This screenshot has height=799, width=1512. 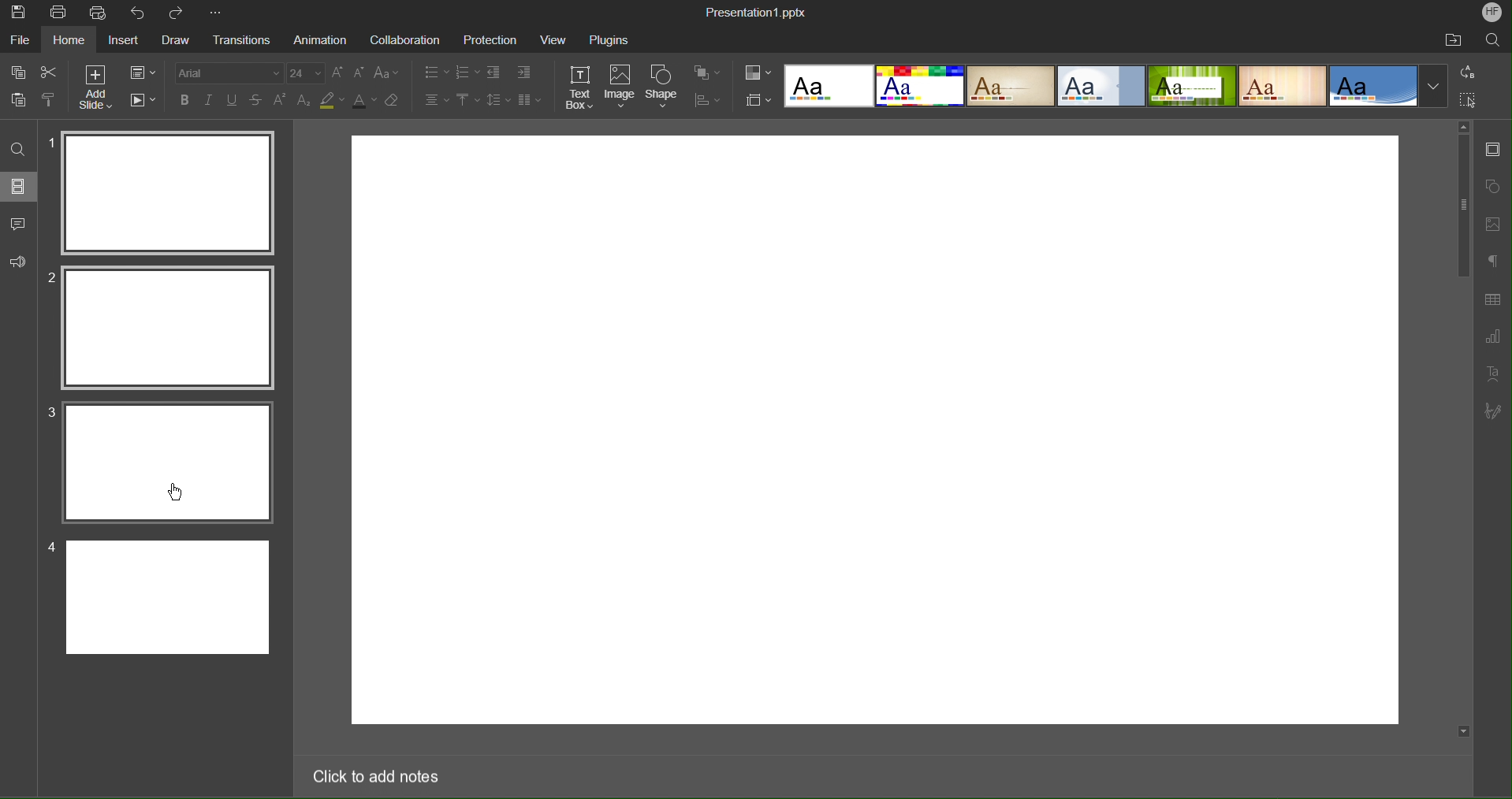 I want to click on Text Box, so click(x=581, y=88).